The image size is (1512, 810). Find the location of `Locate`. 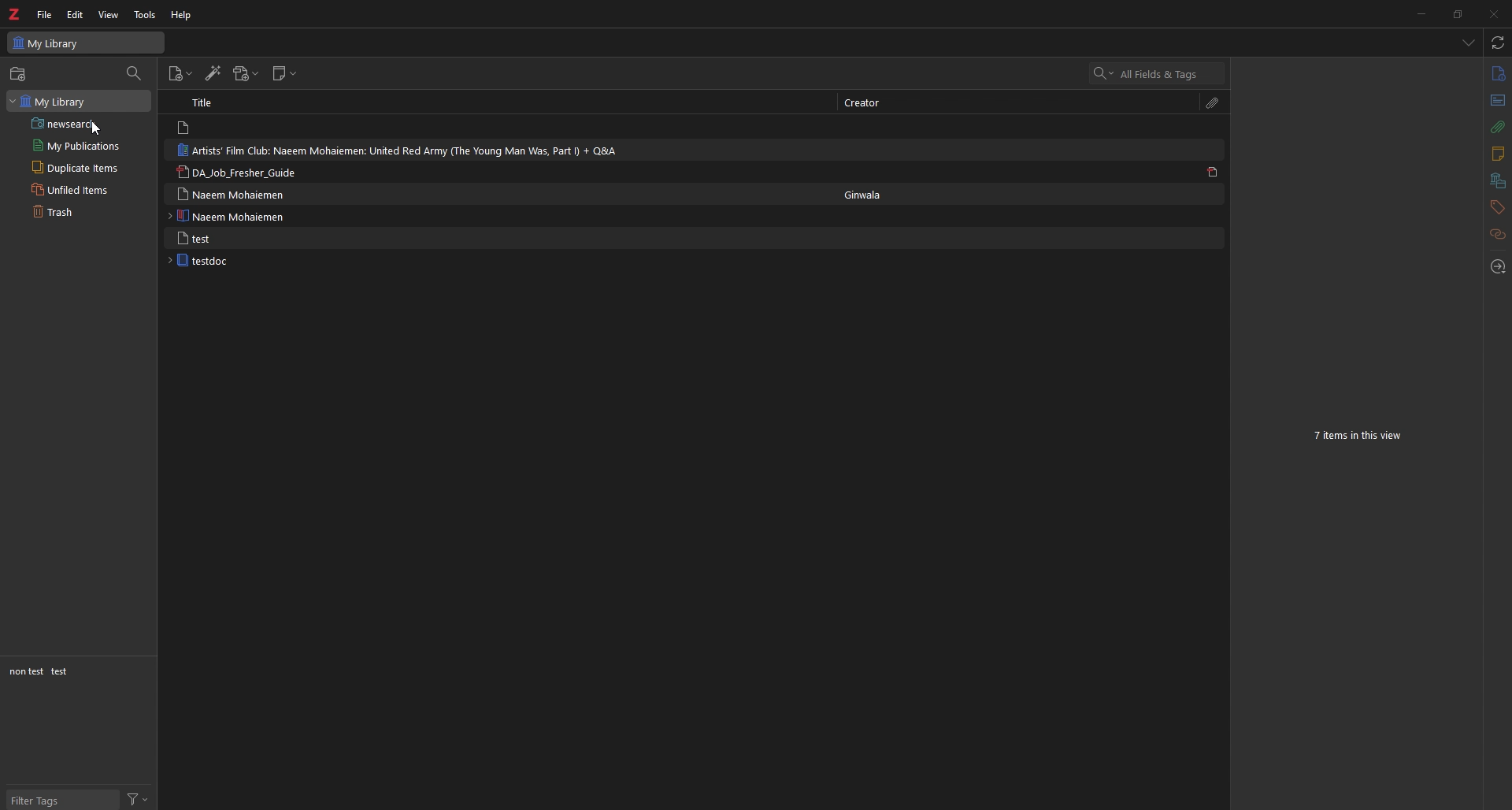

Locate is located at coordinates (1501, 267).